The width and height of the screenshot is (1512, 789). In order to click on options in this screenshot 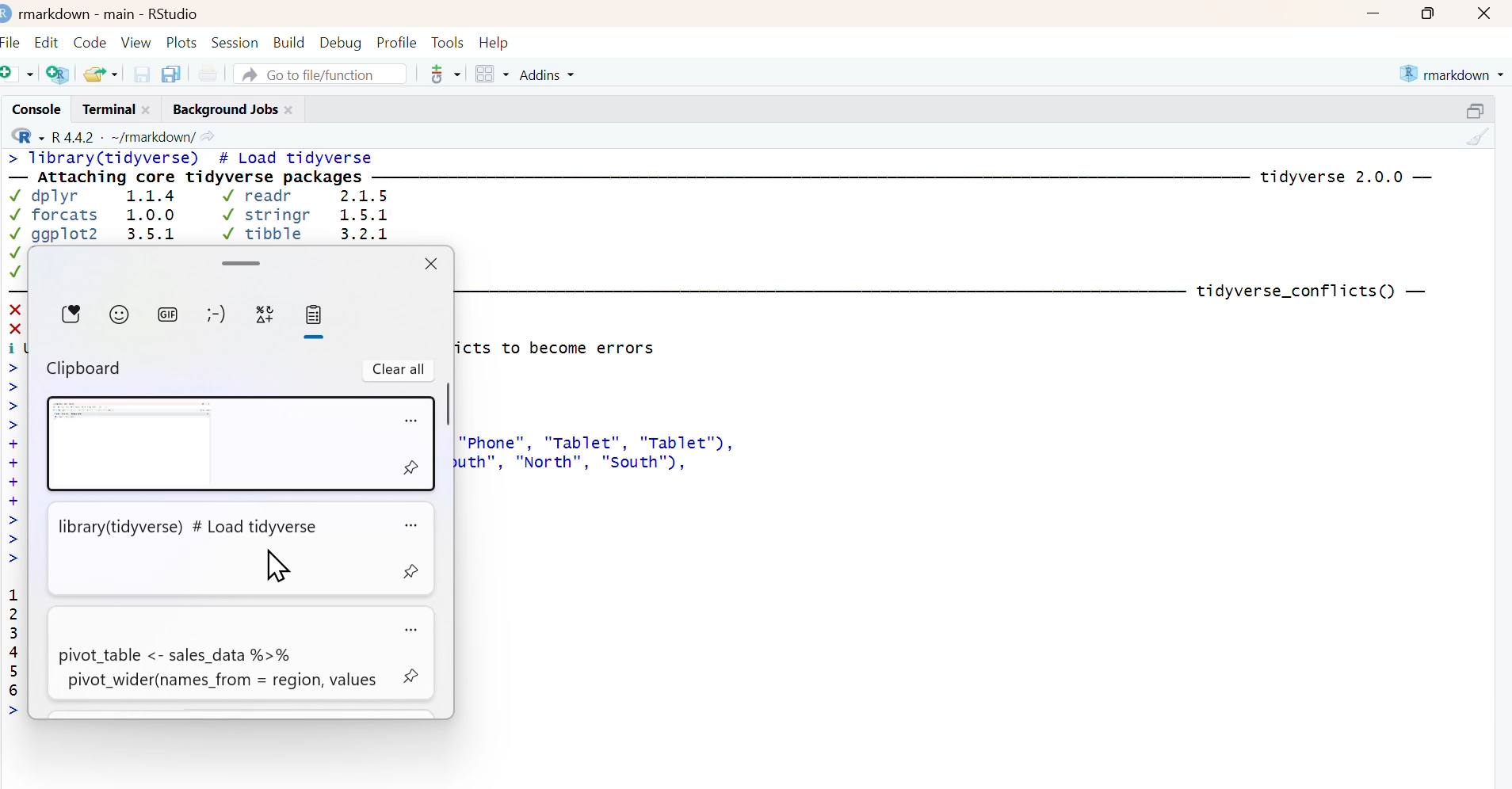, I will do `click(413, 417)`.